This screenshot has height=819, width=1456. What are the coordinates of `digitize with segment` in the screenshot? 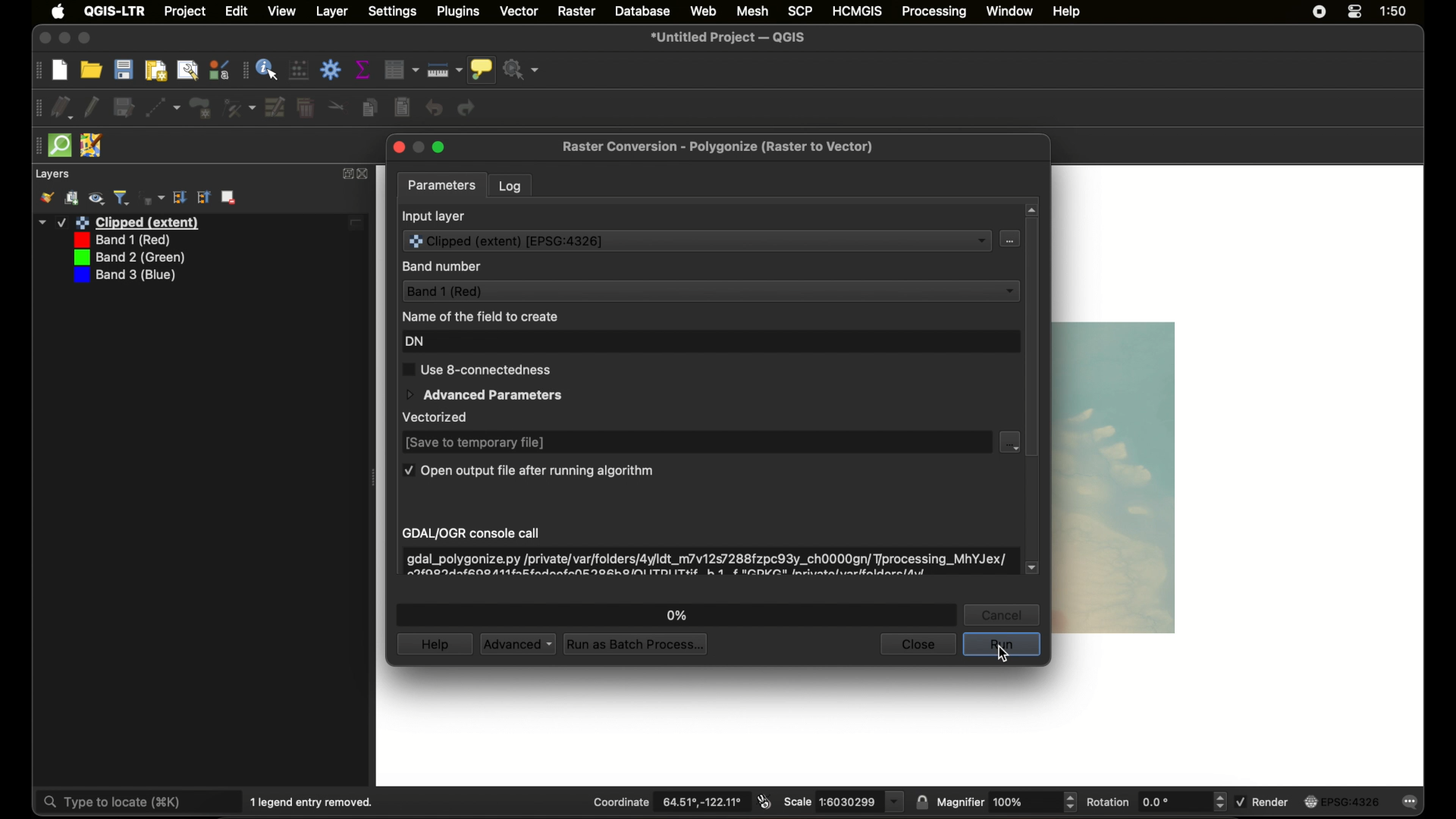 It's located at (164, 108).